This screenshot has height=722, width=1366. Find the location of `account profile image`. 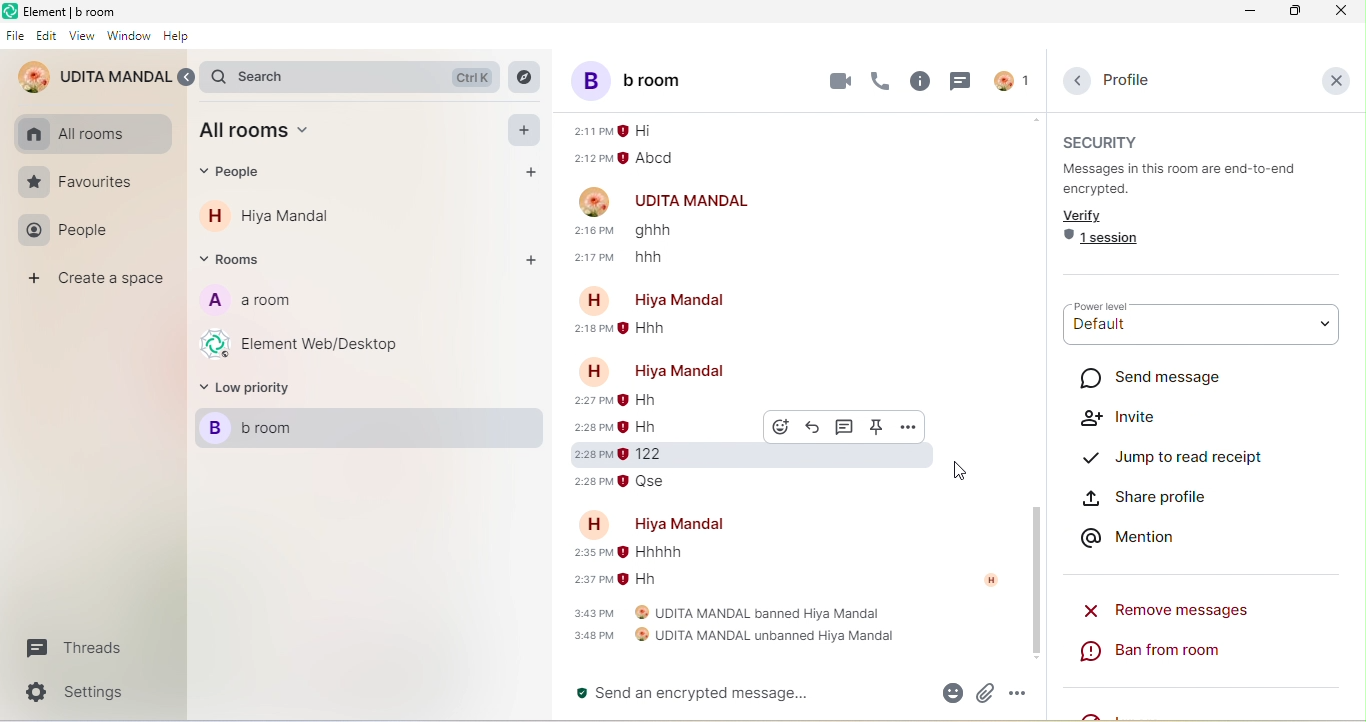

account profile image is located at coordinates (591, 201).